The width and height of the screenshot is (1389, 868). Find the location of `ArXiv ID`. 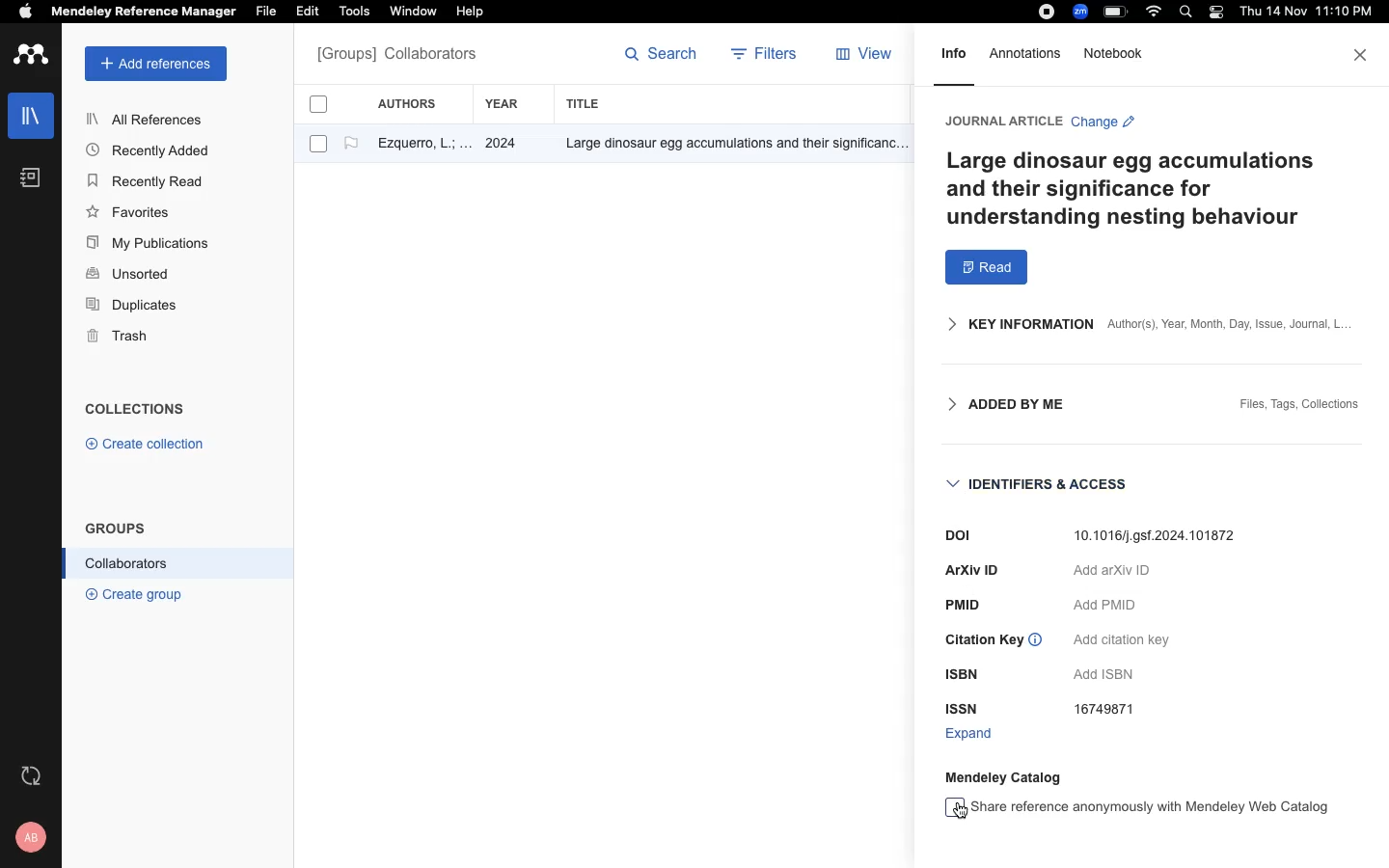

ArXiv ID is located at coordinates (972, 570).